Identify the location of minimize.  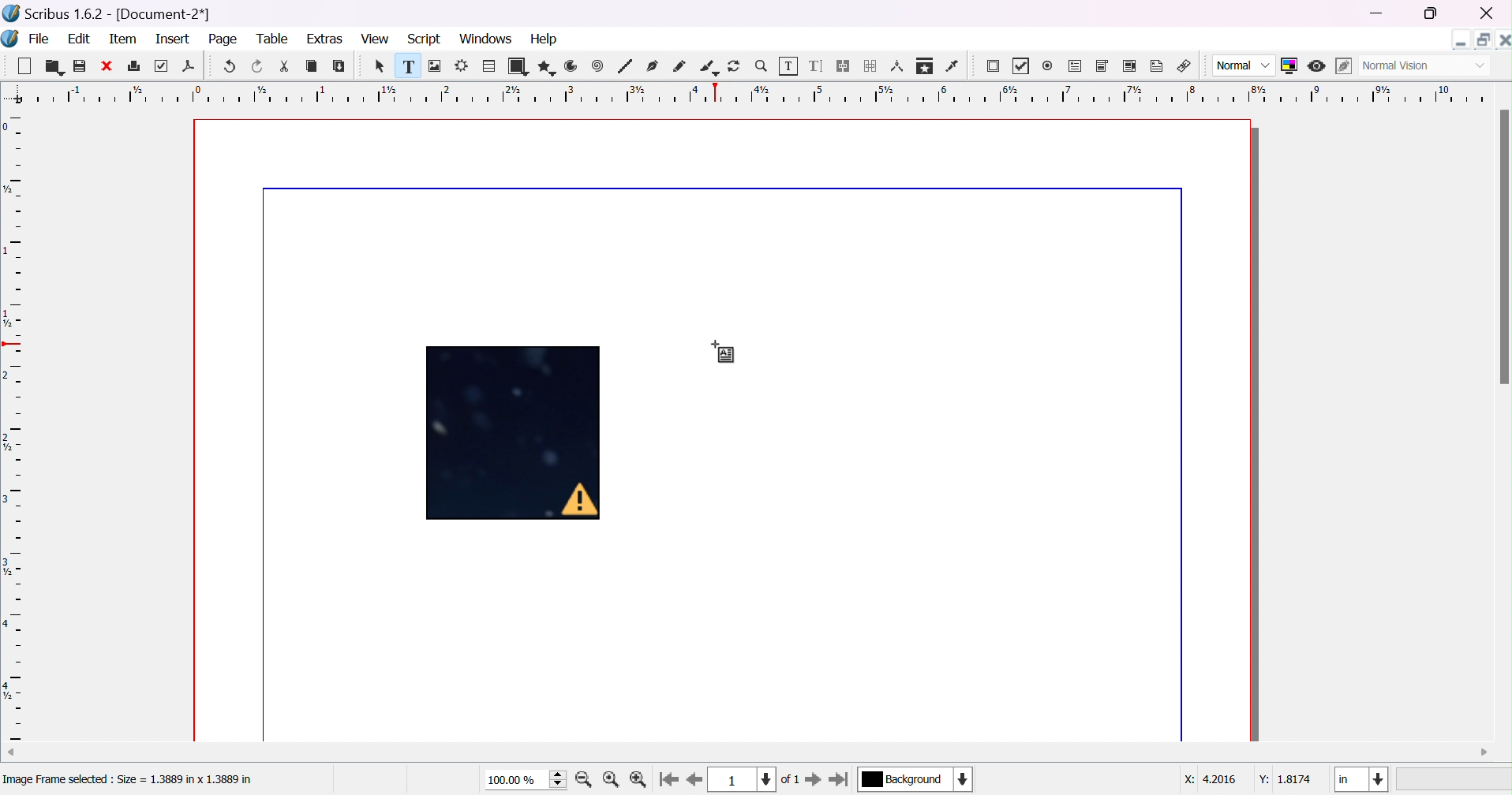
(1380, 14).